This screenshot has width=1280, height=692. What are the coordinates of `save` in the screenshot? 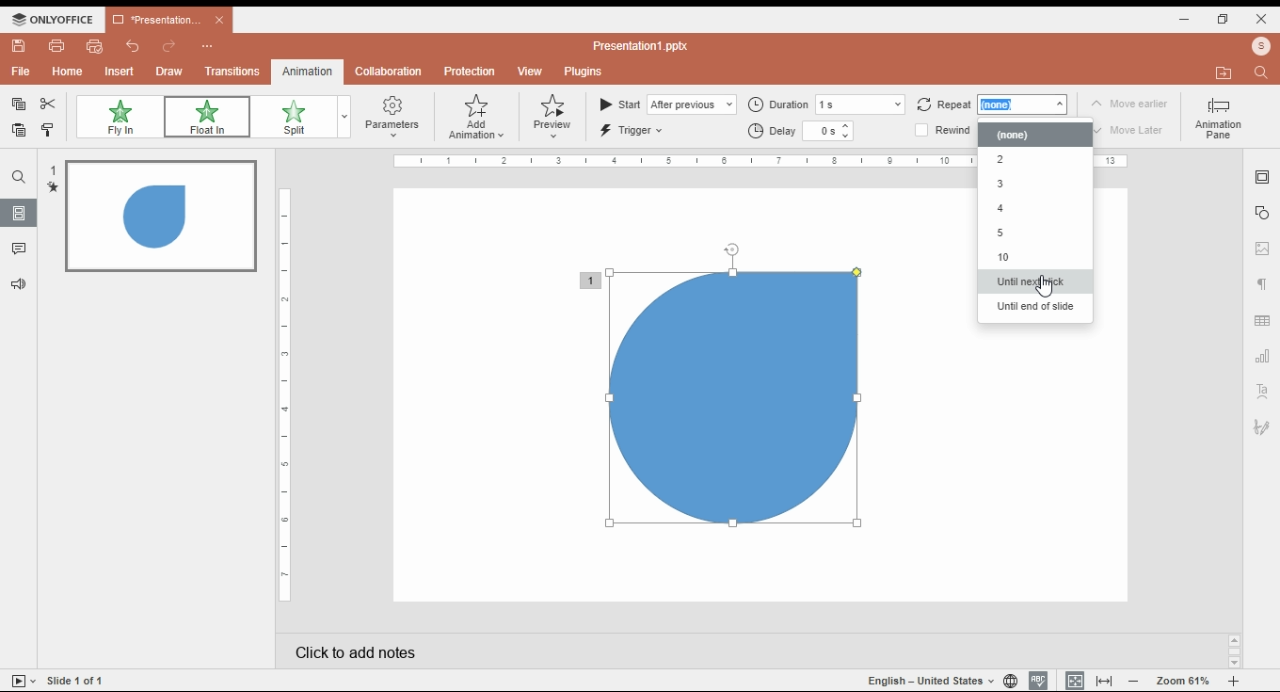 It's located at (19, 46).